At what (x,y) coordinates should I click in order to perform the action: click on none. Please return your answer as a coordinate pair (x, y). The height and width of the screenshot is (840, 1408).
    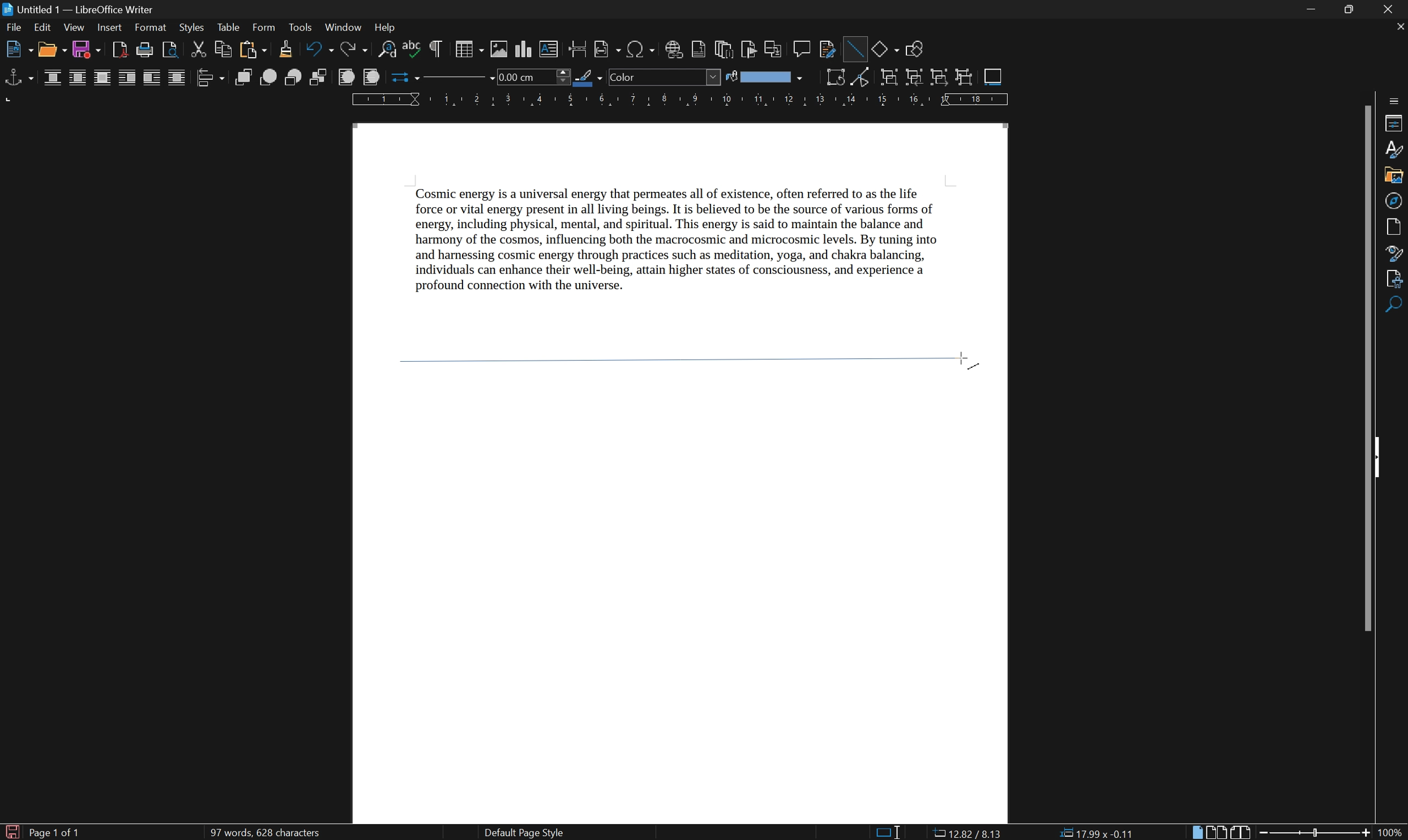
    Looking at the image, I should click on (54, 78).